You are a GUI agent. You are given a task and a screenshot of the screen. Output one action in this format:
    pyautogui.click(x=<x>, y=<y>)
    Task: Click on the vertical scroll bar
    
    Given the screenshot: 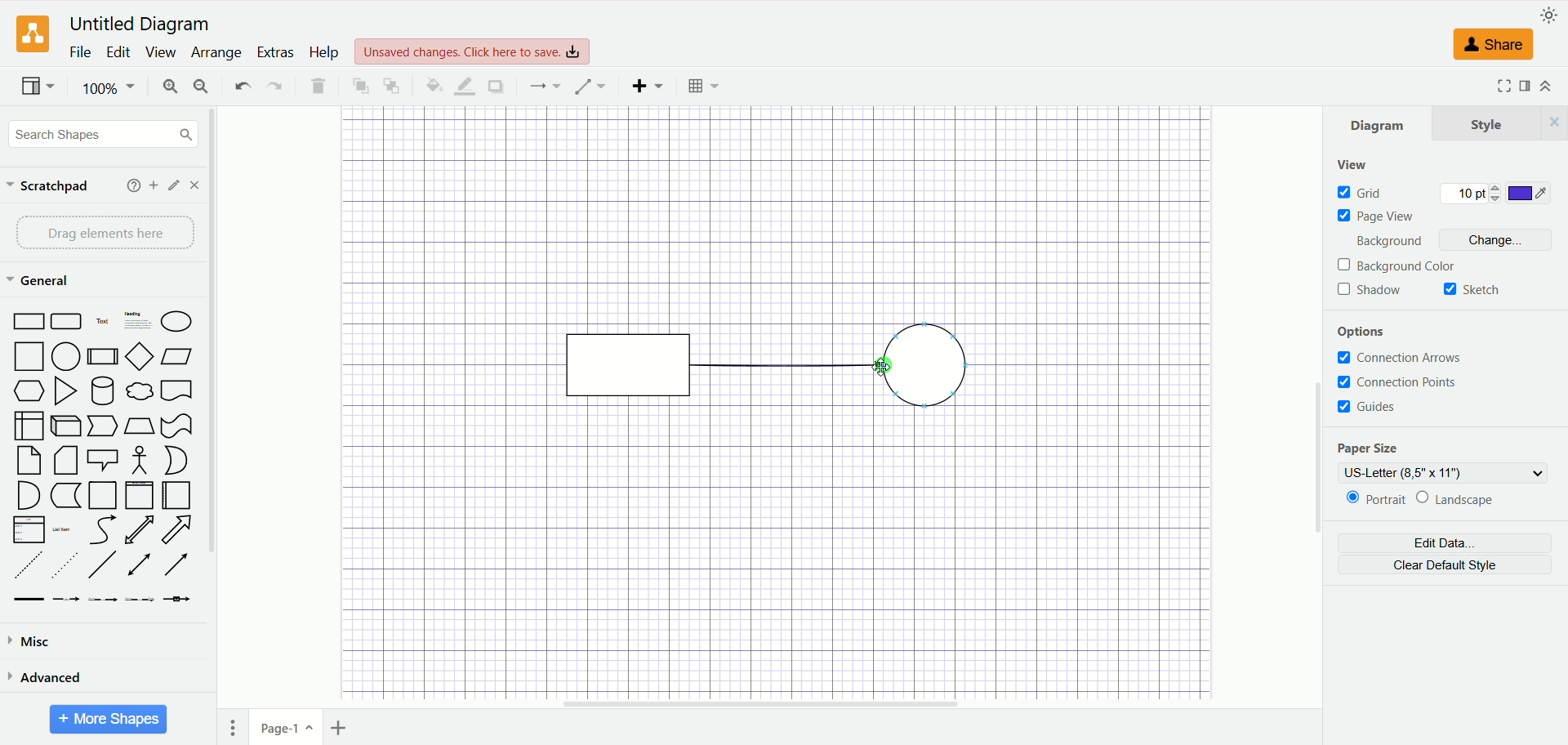 What is the action you would take?
    pyautogui.click(x=210, y=426)
    